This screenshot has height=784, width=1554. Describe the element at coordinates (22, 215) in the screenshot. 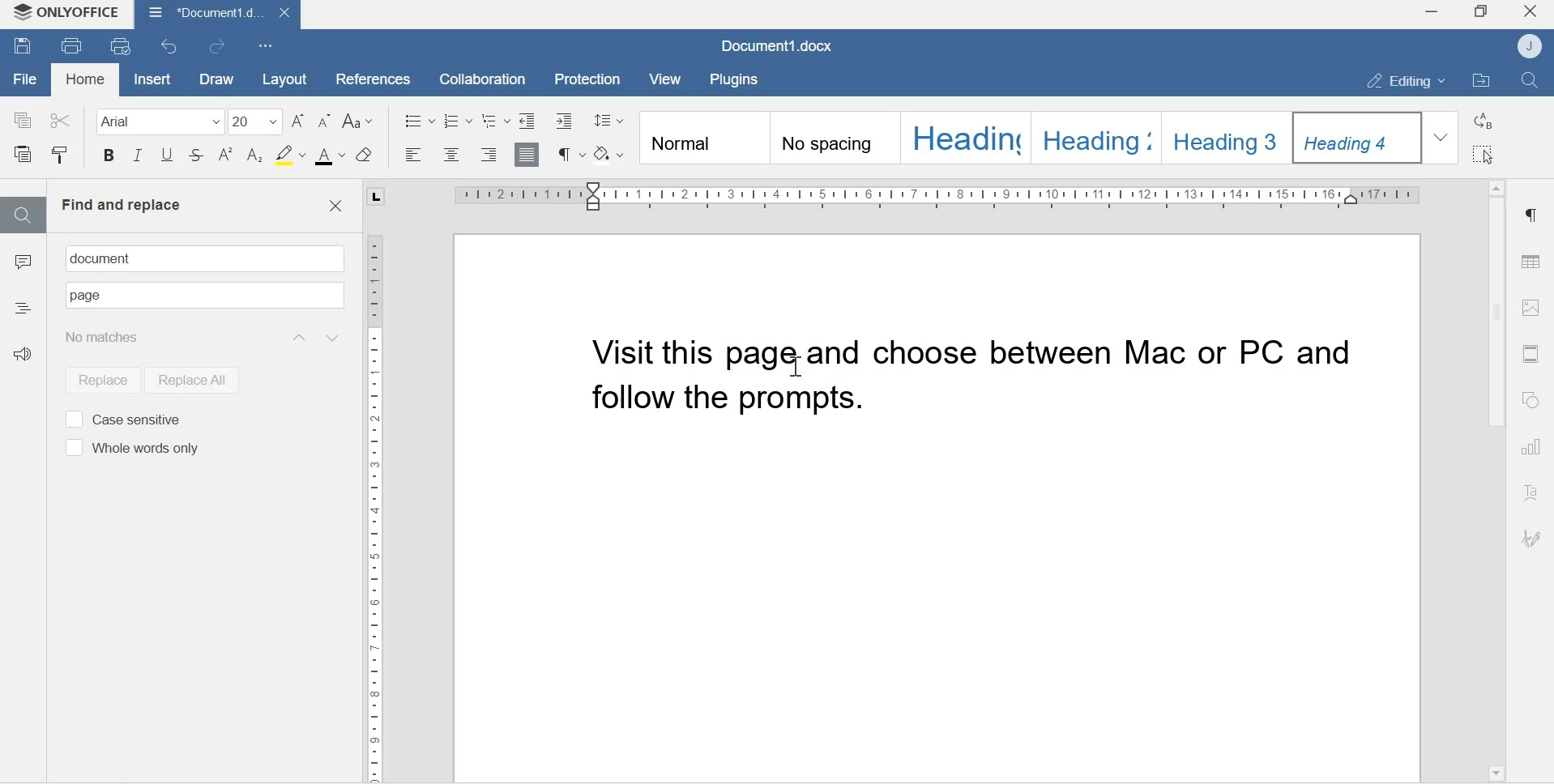

I see `Find` at that location.